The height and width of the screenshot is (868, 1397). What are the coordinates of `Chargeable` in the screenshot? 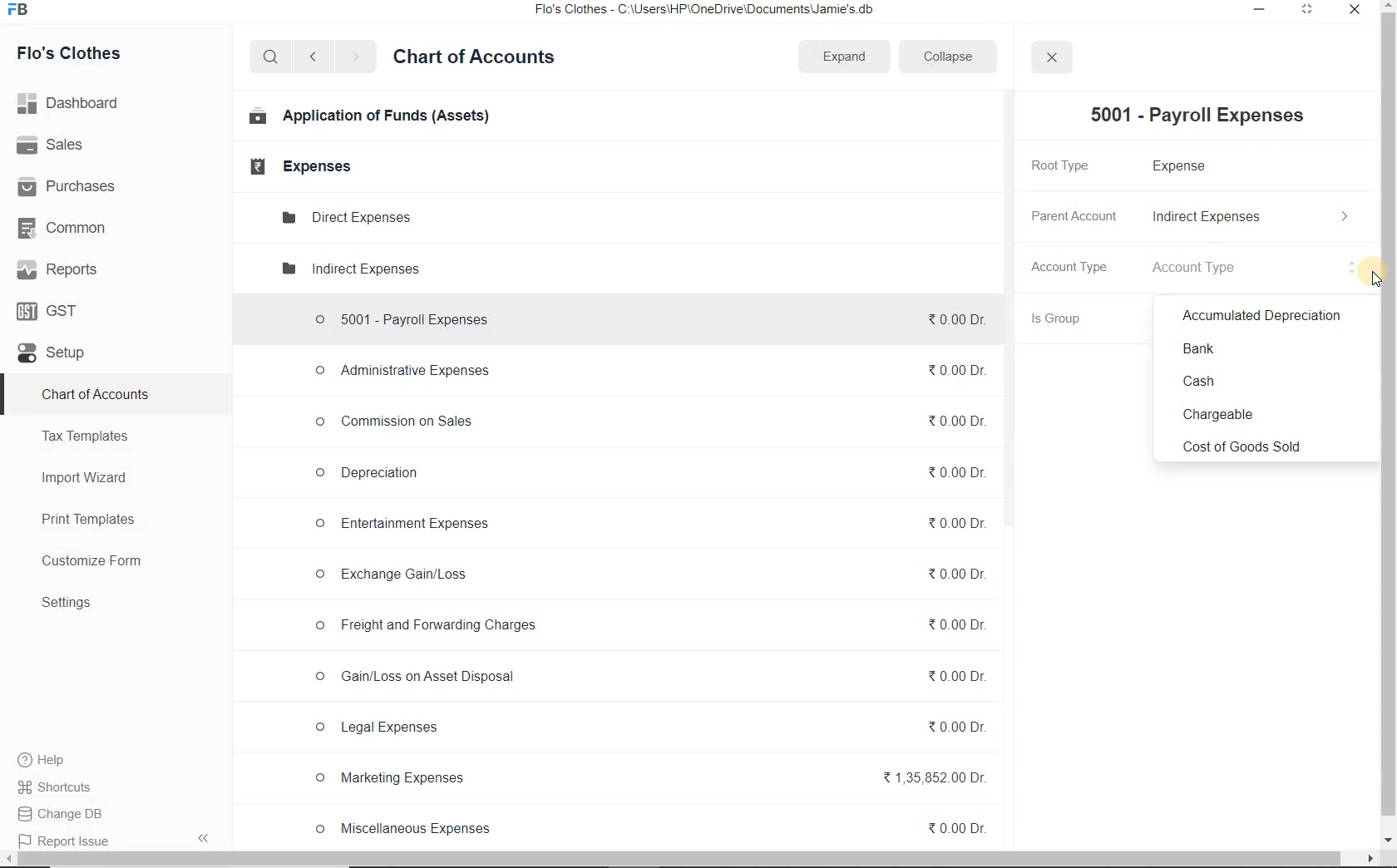 It's located at (1222, 416).